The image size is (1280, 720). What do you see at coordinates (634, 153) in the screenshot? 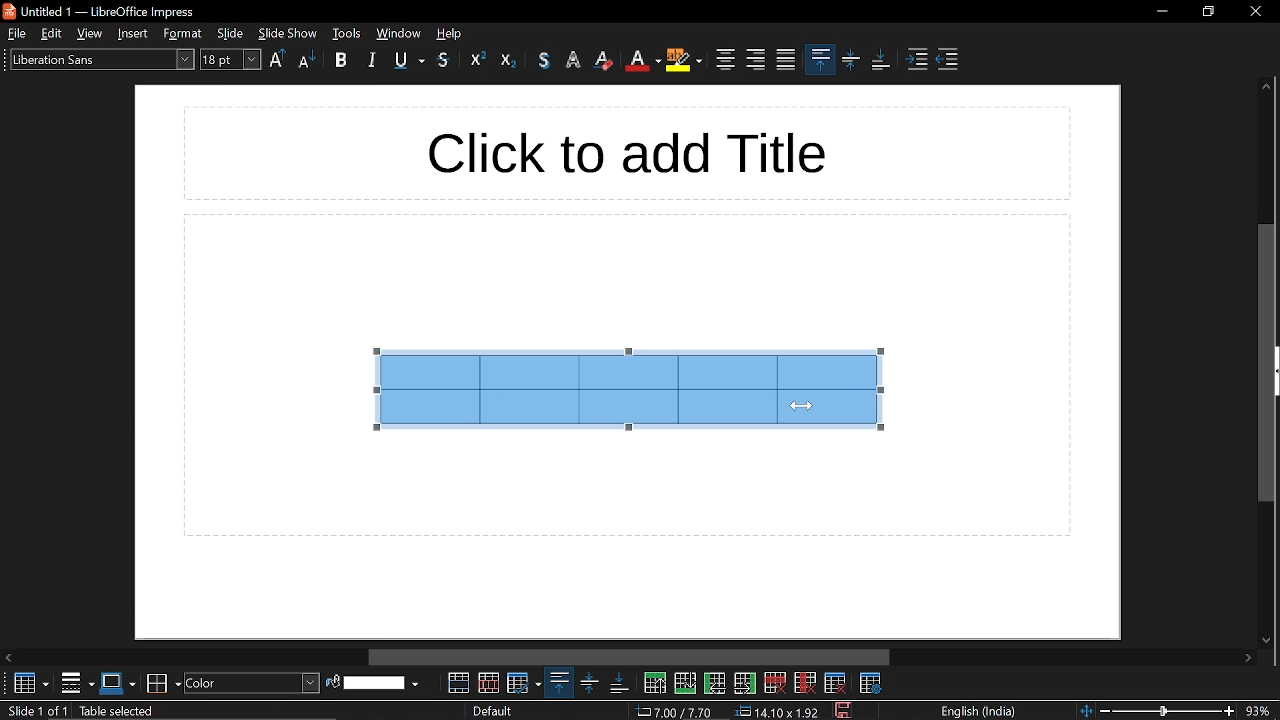
I see `click to add title` at bounding box center [634, 153].